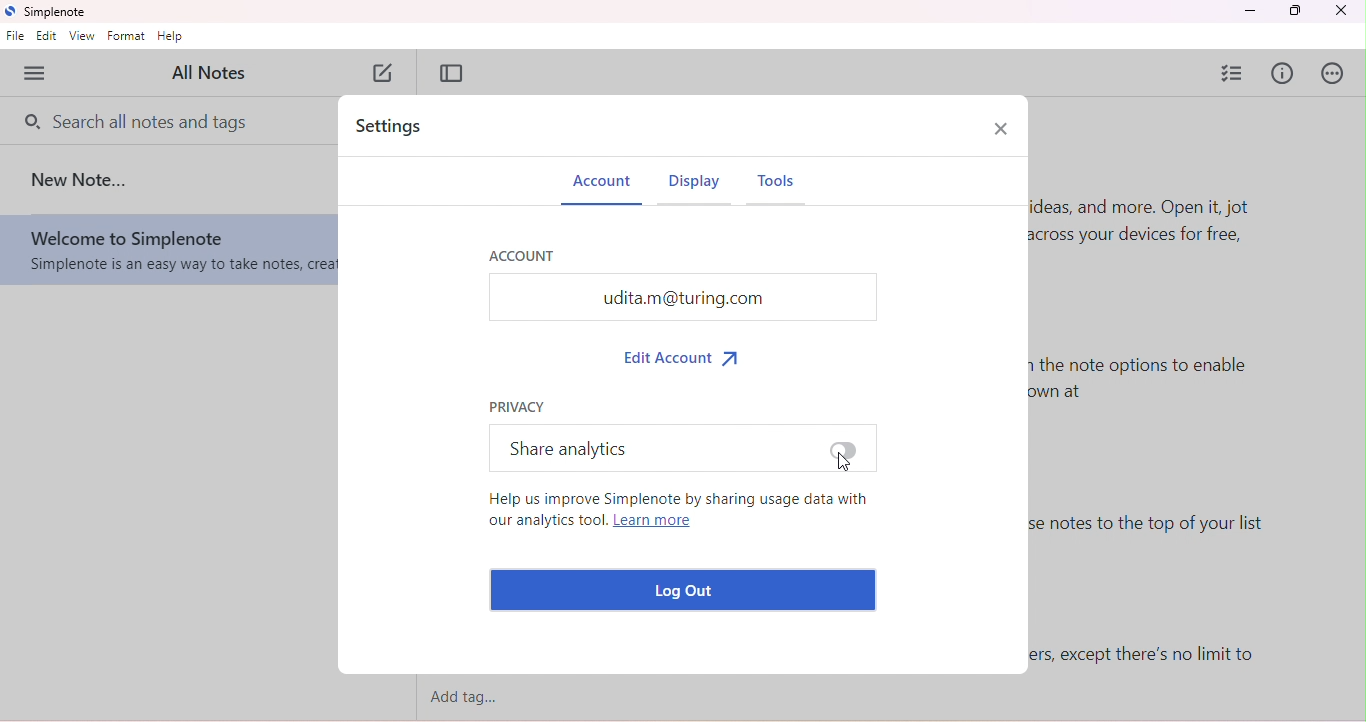 The height and width of the screenshot is (722, 1366). I want to click on text on pinned notes, so click(1164, 533).